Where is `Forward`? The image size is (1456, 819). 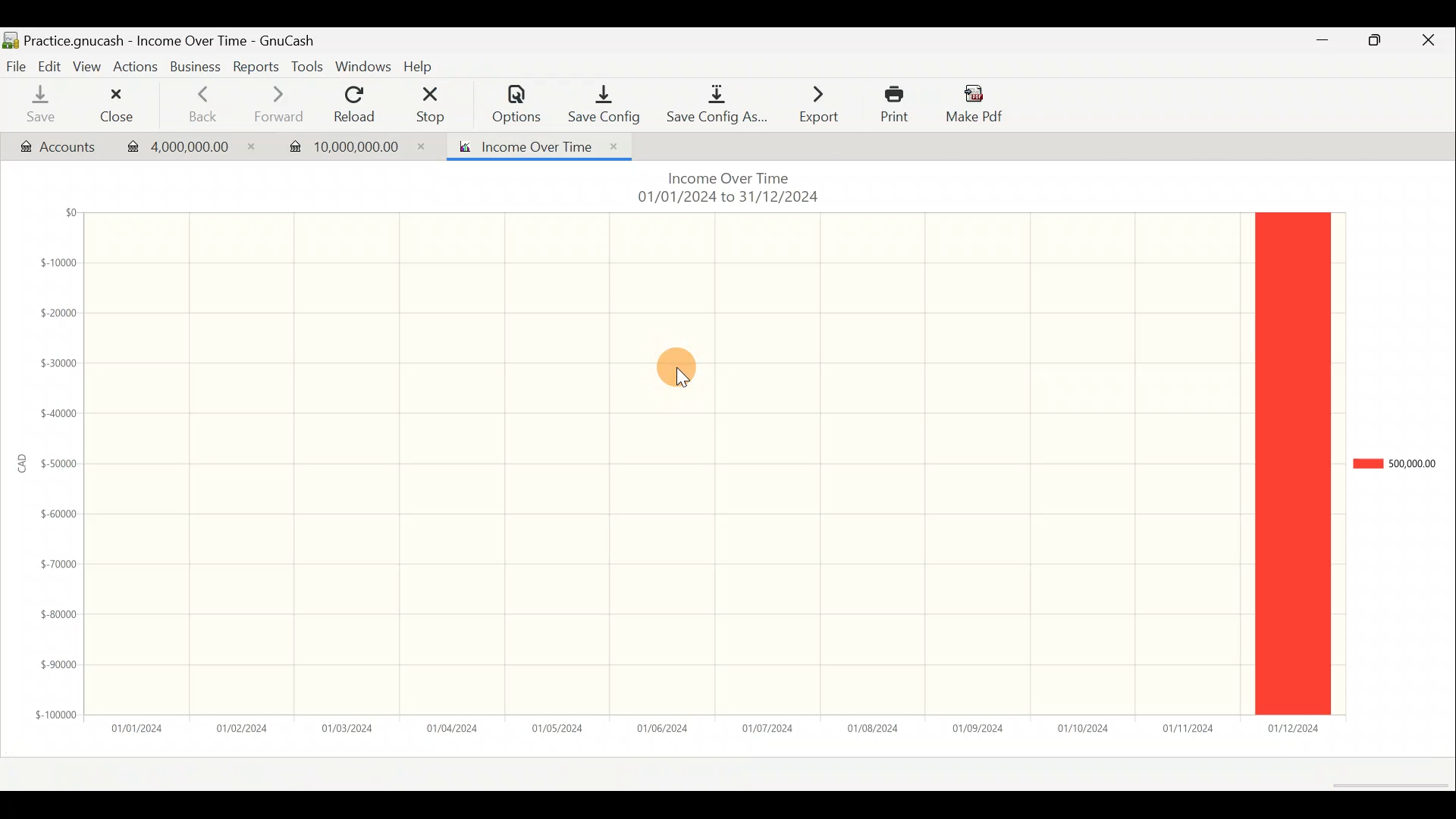
Forward is located at coordinates (281, 103).